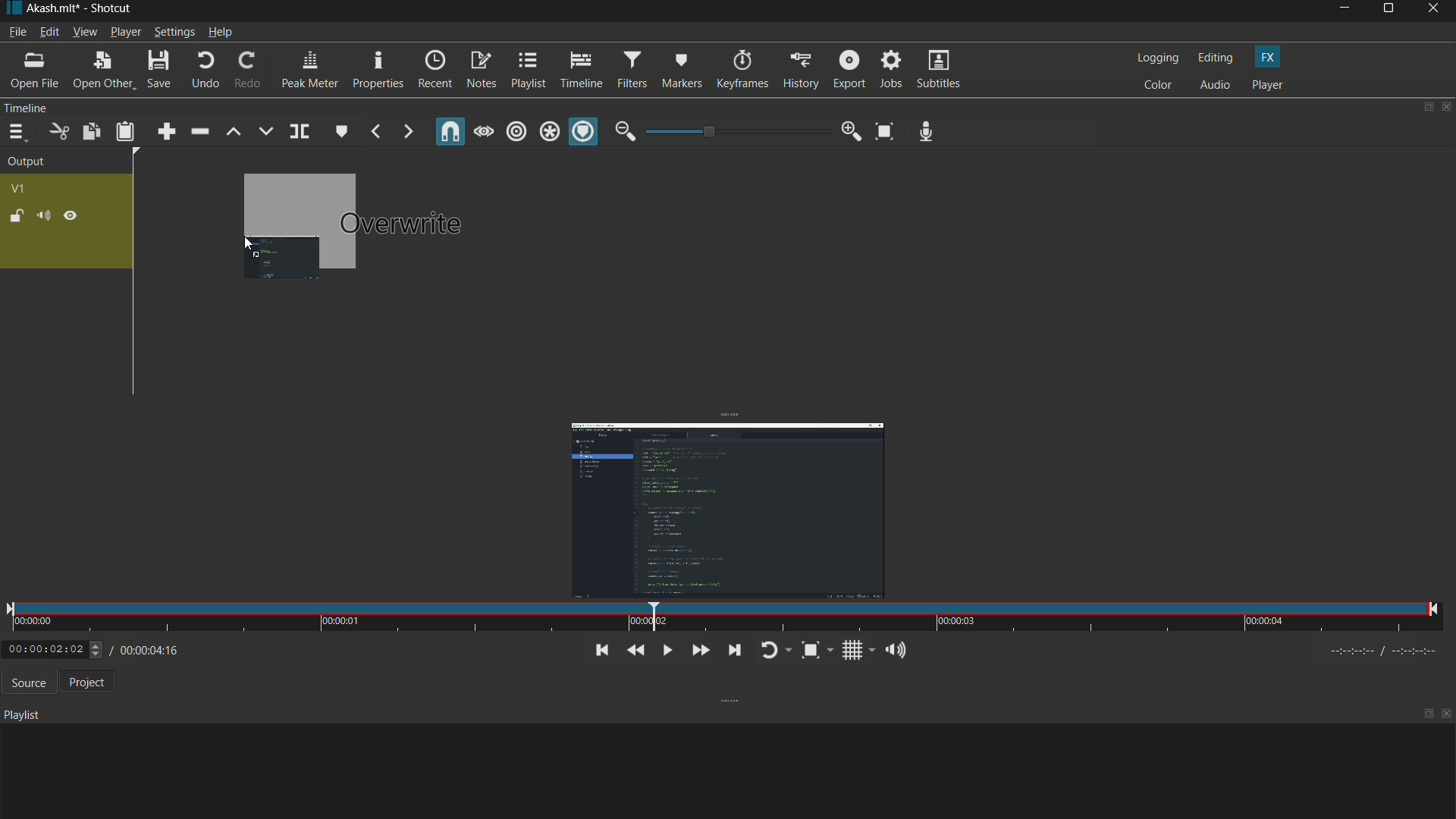 The height and width of the screenshot is (819, 1456). I want to click on lock track, so click(14, 215).